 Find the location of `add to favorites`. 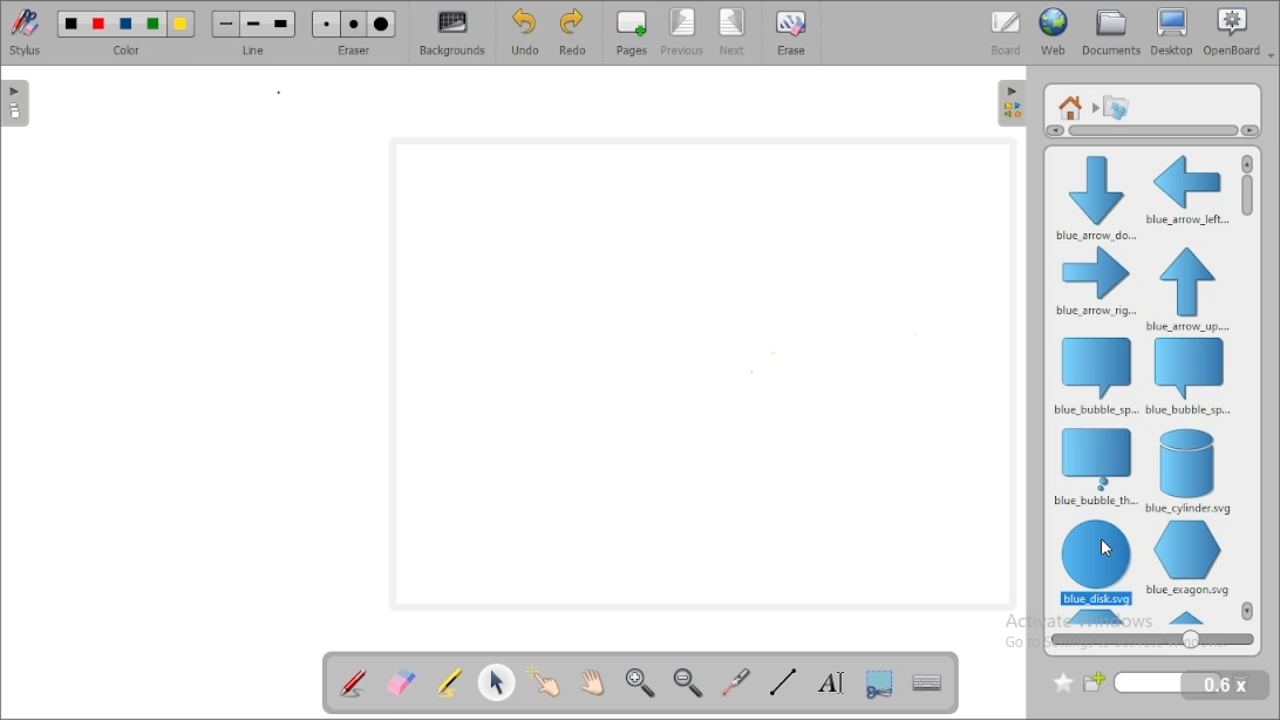

add to favorites is located at coordinates (1063, 683).